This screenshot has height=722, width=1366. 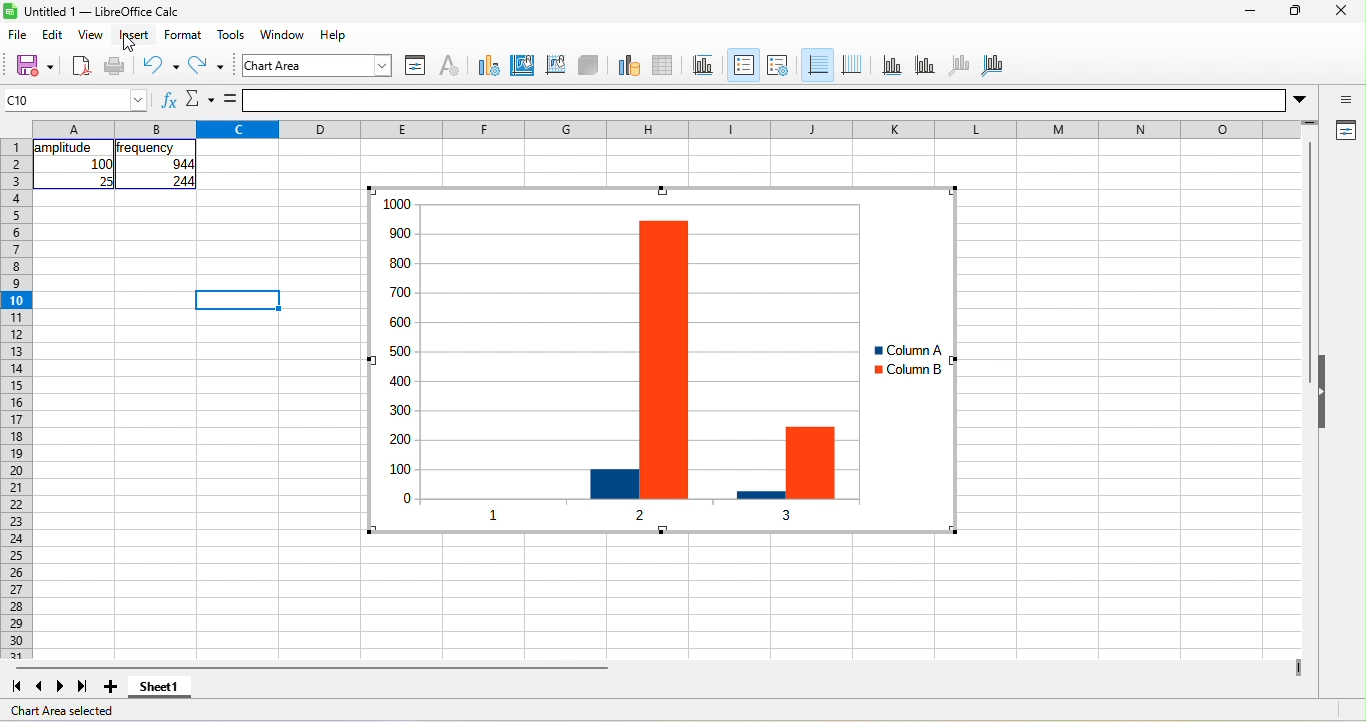 I want to click on data range, so click(x=626, y=64).